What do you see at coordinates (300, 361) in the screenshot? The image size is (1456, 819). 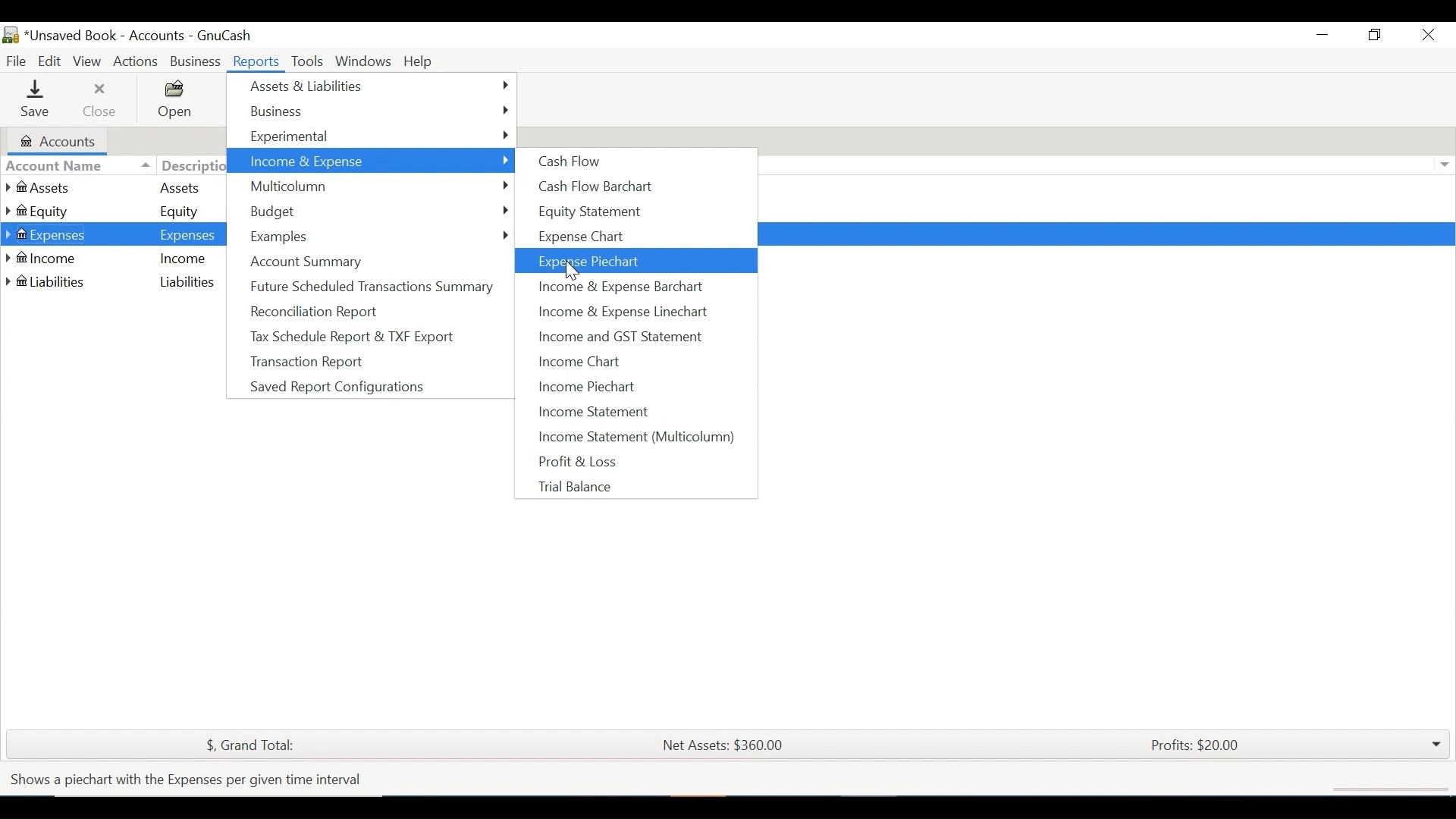 I see `Transaction Report` at bounding box center [300, 361].